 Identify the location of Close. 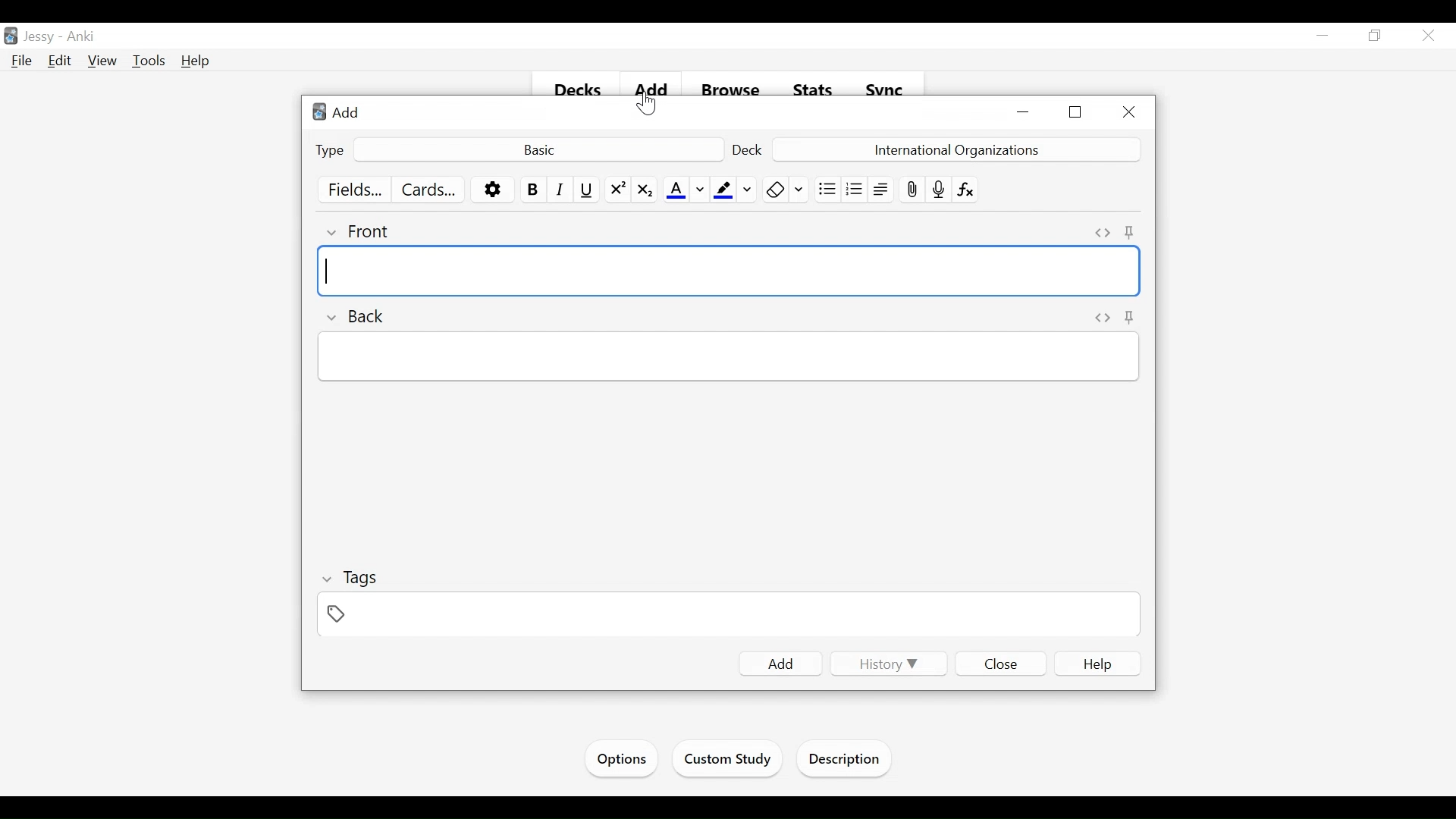
(1000, 664).